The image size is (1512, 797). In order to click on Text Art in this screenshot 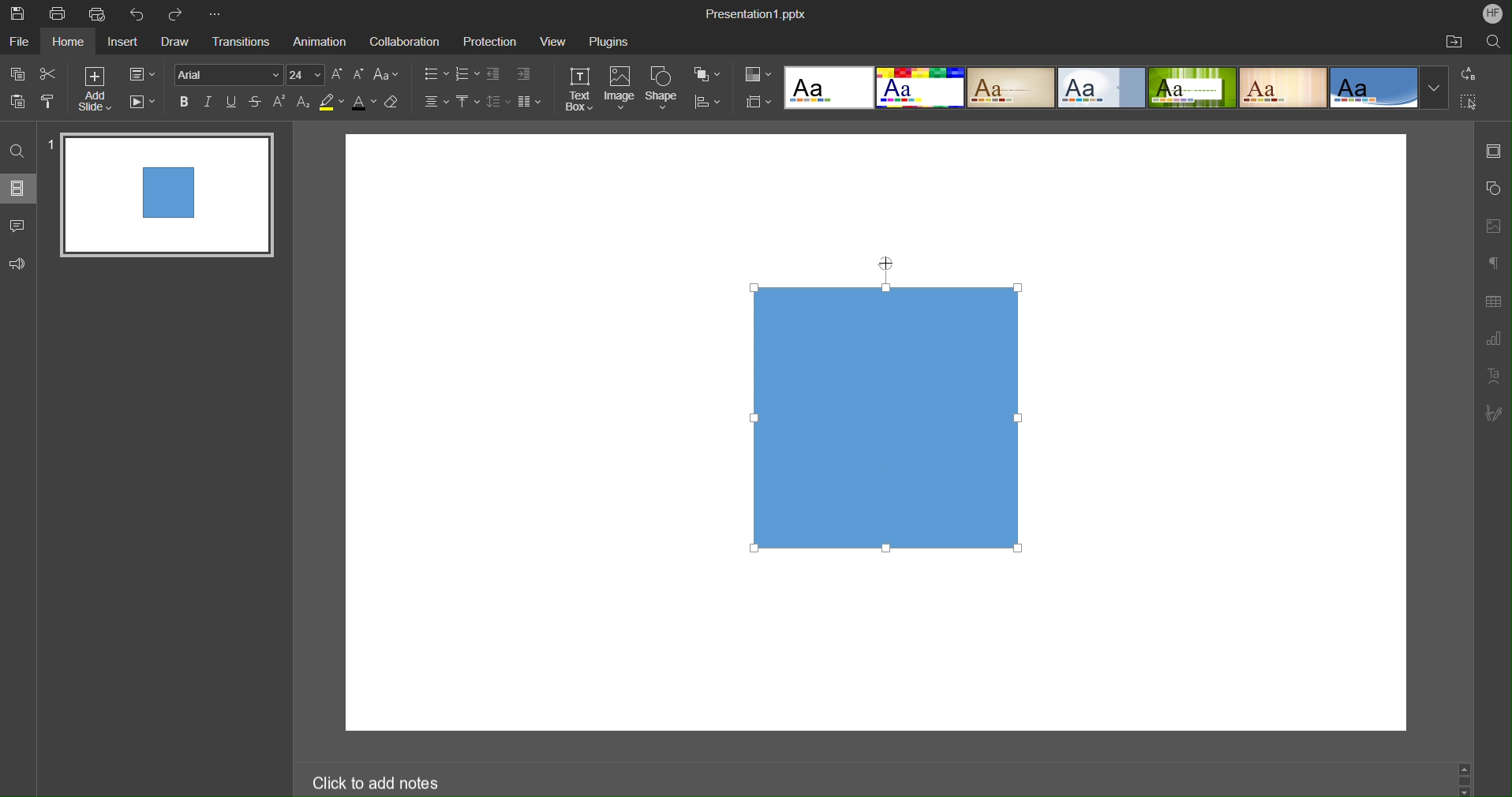, I will do `click(1493, 376)`.